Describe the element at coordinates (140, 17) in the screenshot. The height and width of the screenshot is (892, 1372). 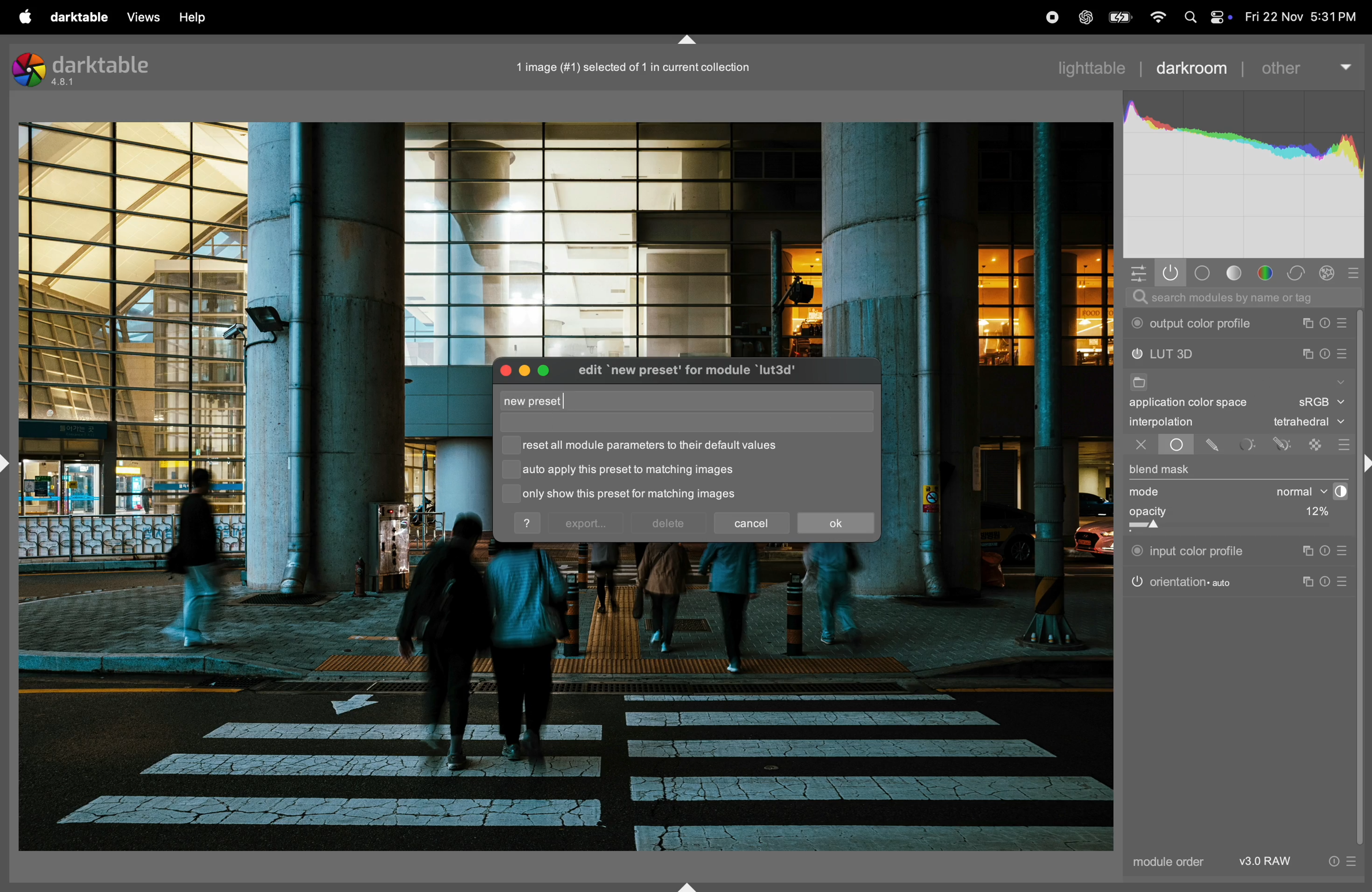
I see `views` at that location.